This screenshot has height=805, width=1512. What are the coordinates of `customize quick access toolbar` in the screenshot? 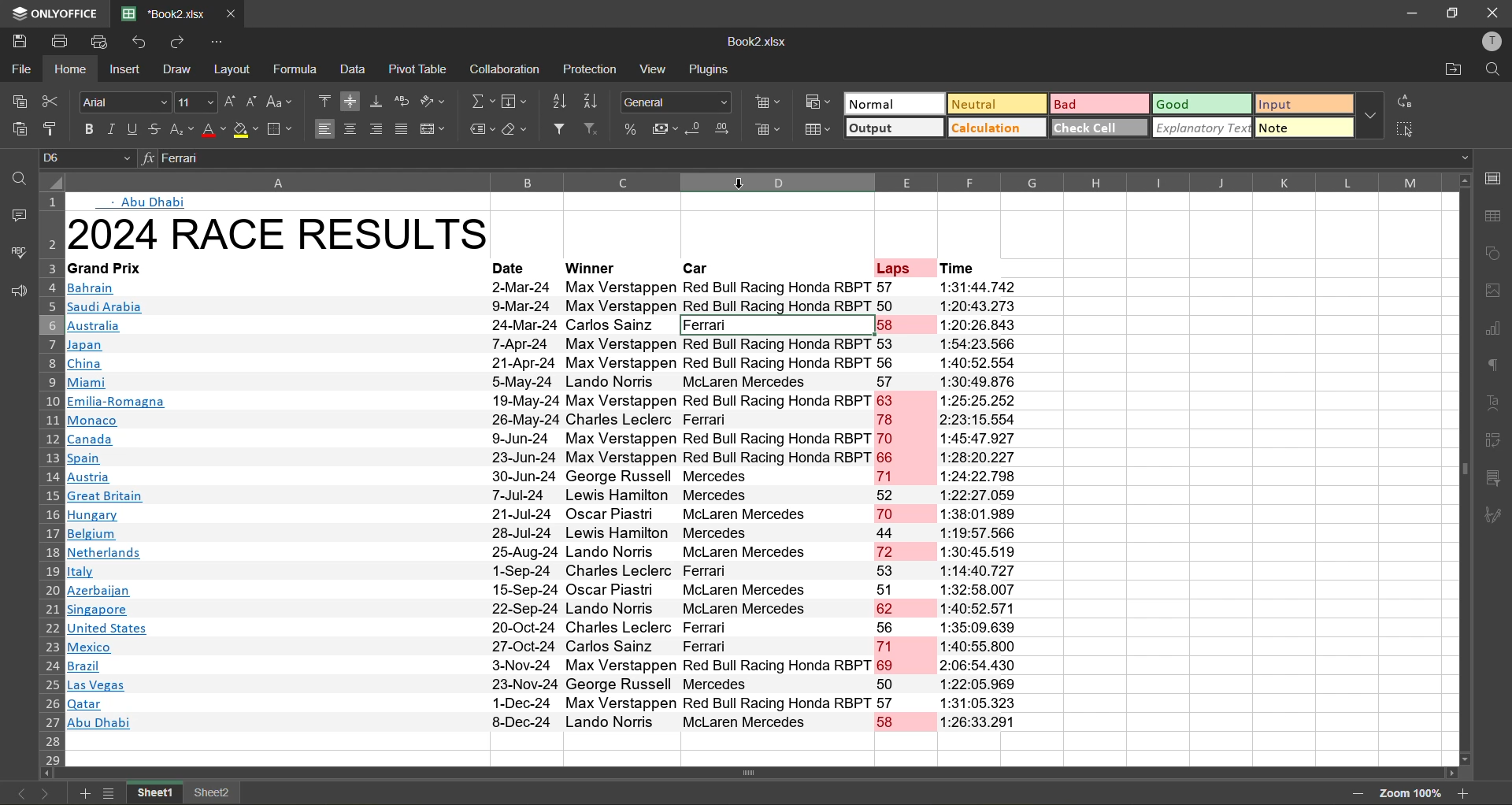 It's located at (222, 42).